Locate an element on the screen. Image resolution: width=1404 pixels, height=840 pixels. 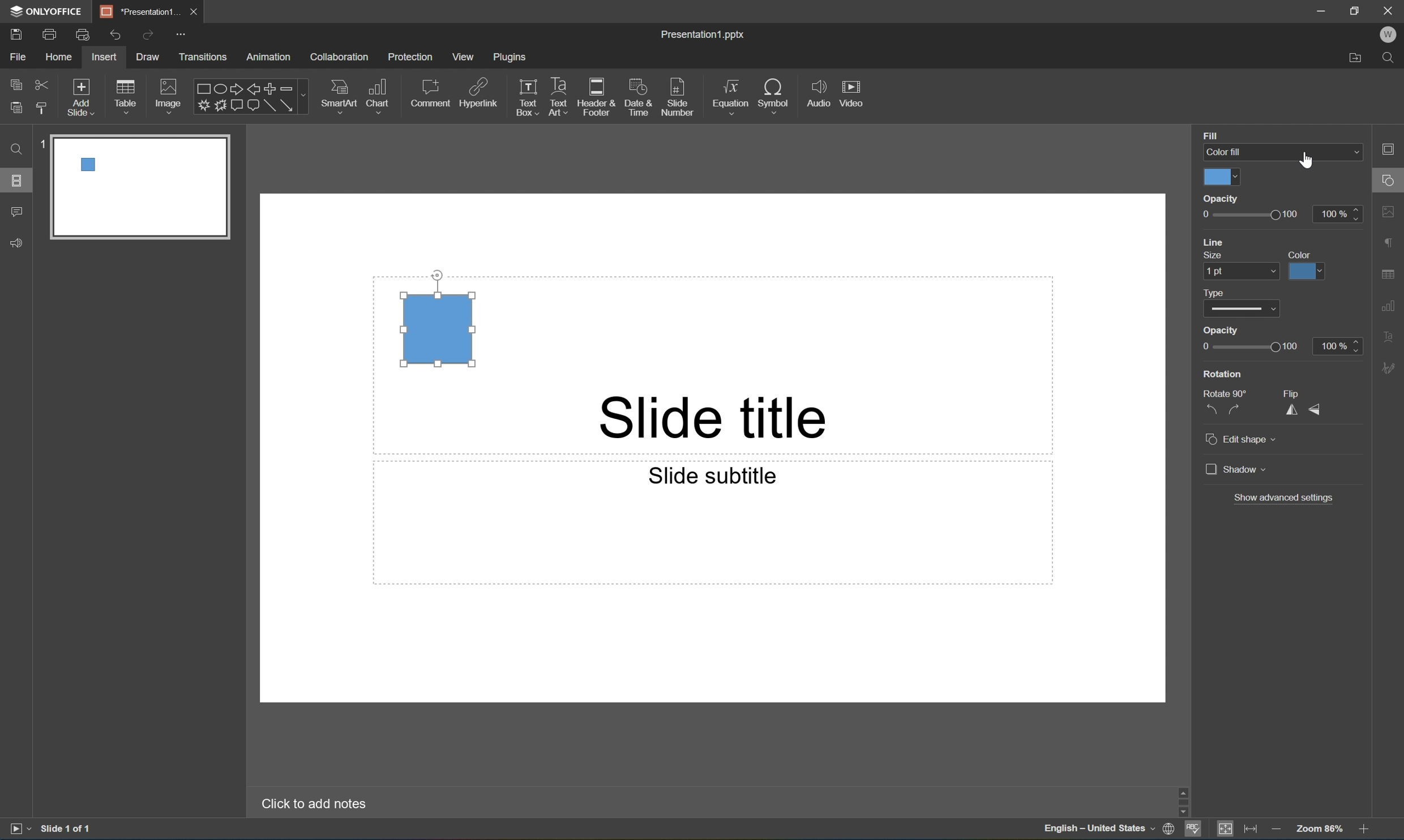
Arrow is located at coordinates (287, 105).